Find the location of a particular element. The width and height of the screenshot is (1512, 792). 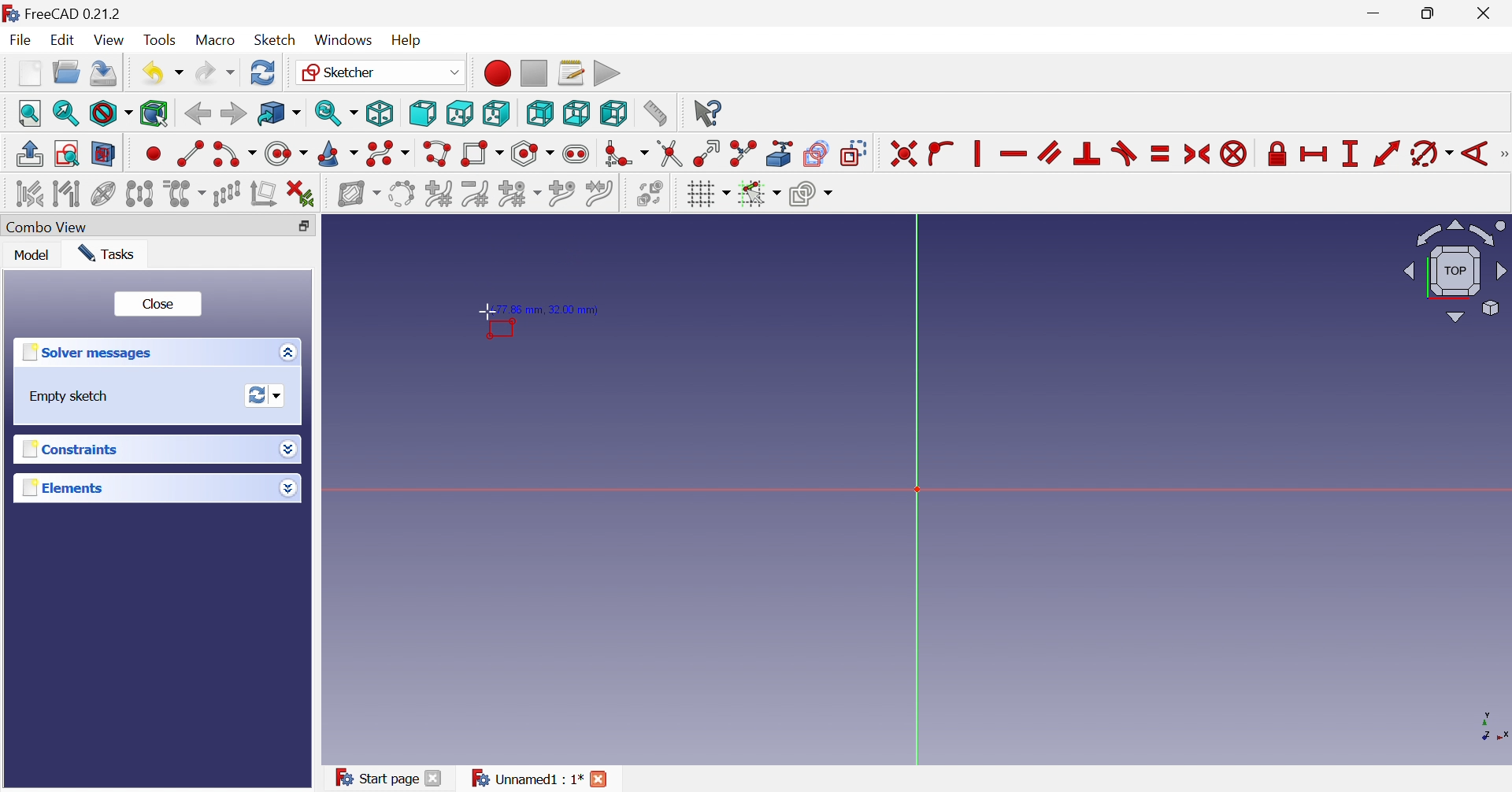

Create circle is located at coordinates (285, 154).